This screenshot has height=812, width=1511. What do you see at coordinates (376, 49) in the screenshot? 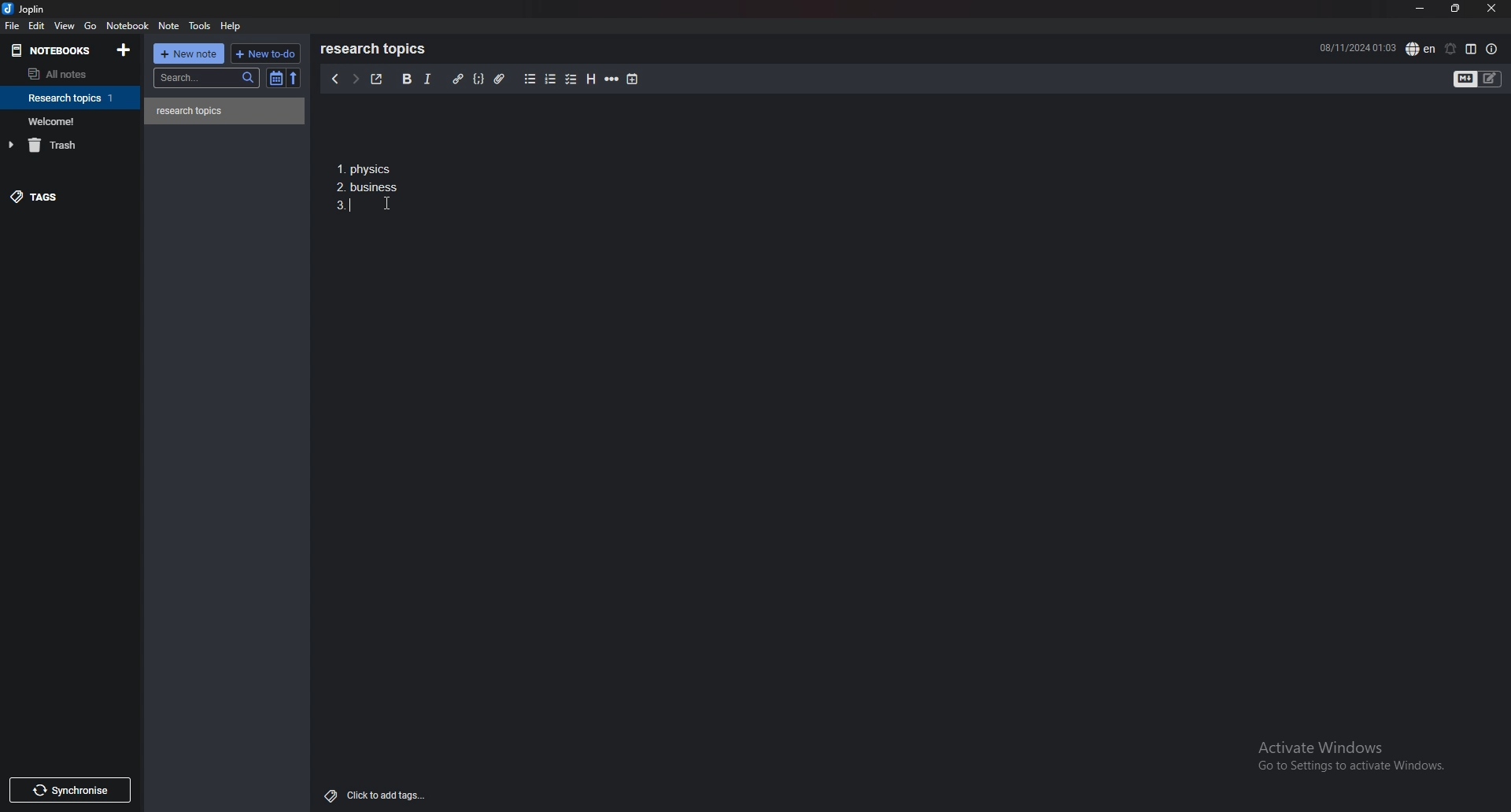
I see `research topics` at bounding box center [376, 49].